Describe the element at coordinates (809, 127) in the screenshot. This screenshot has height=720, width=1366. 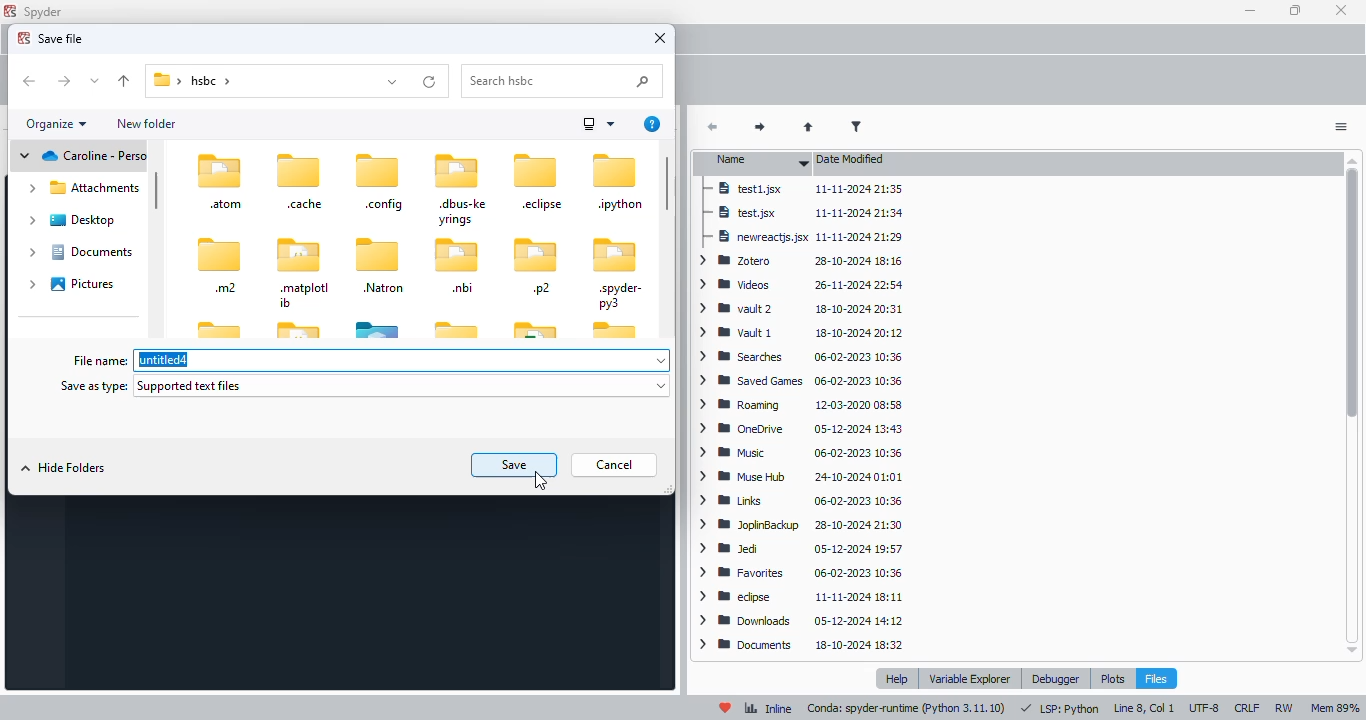
I see `parent` at that location.